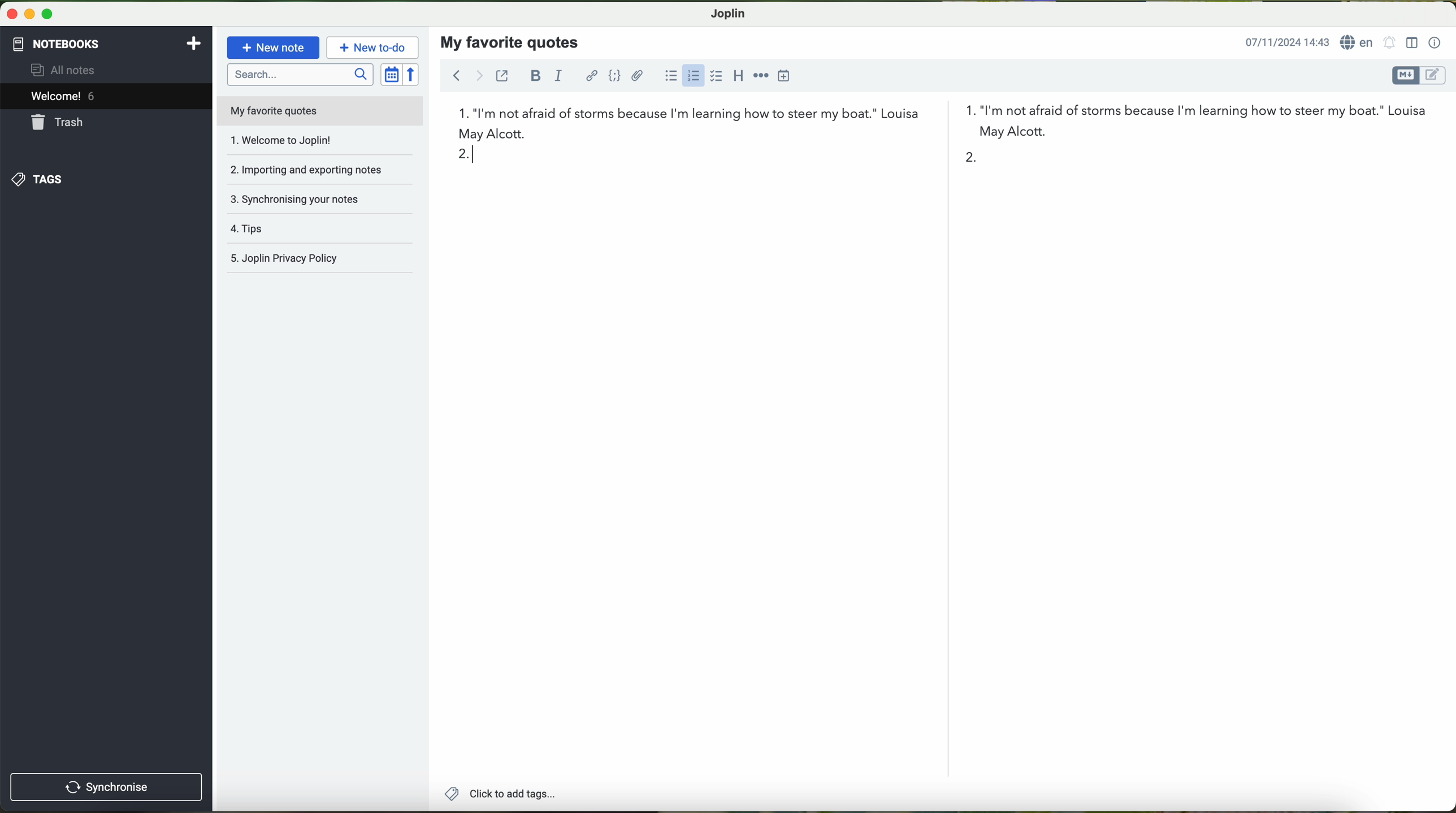 This screenshot has width=1456, height=813. I want to click on toggle editor layout, so click(1411, 43).